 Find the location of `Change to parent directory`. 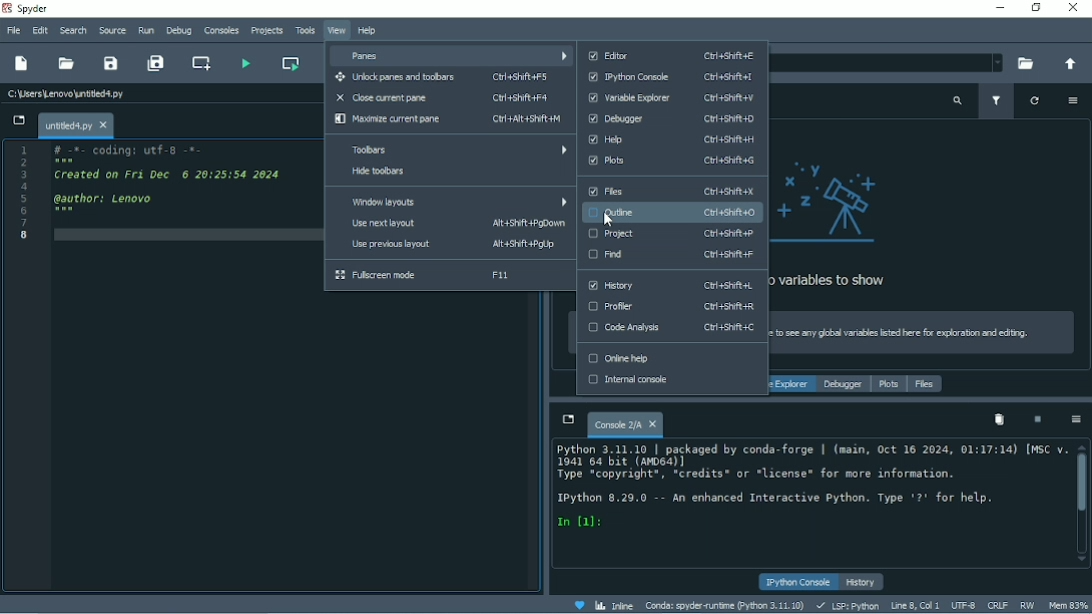

Change to parent directory is located at coordinates (1070, 64).